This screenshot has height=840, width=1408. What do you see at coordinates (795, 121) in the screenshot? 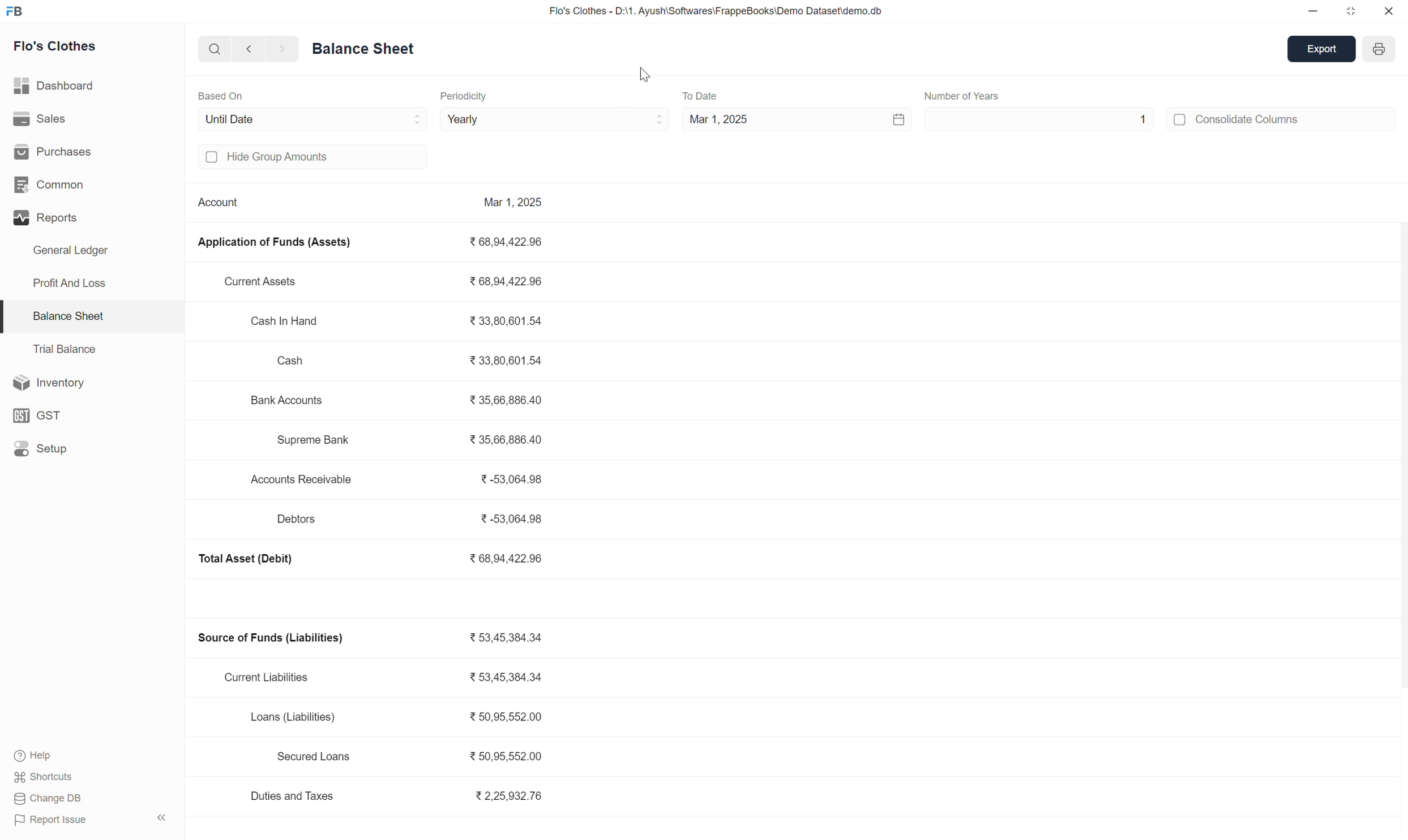
I see `Mar 1, 2025 ` at bounding box center [795, 121].